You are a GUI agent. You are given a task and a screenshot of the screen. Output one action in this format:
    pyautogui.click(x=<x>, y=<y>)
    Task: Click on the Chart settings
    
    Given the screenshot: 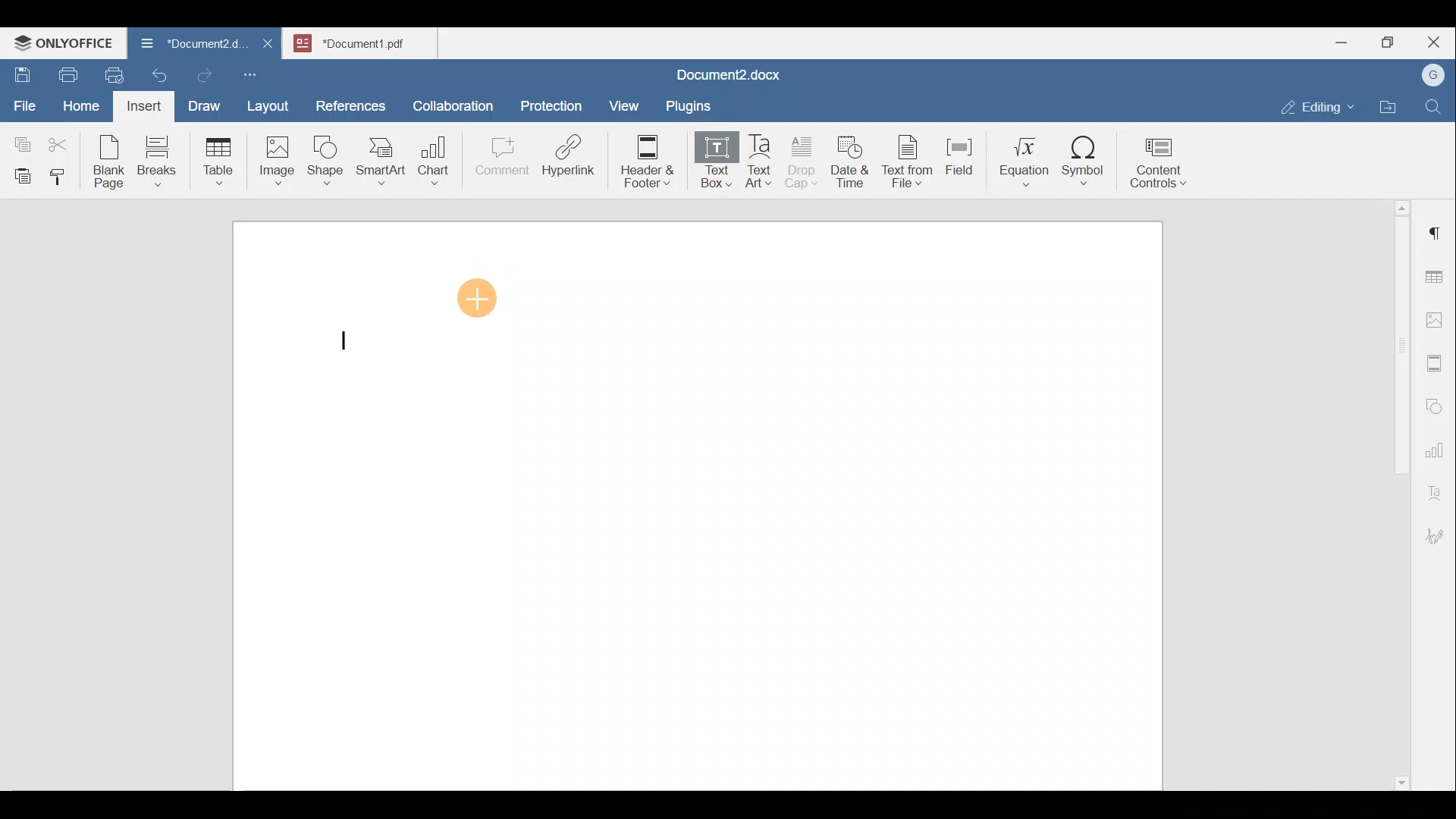 What is the action you would take?
    pyautogui.click(x=1438, y=444)
    